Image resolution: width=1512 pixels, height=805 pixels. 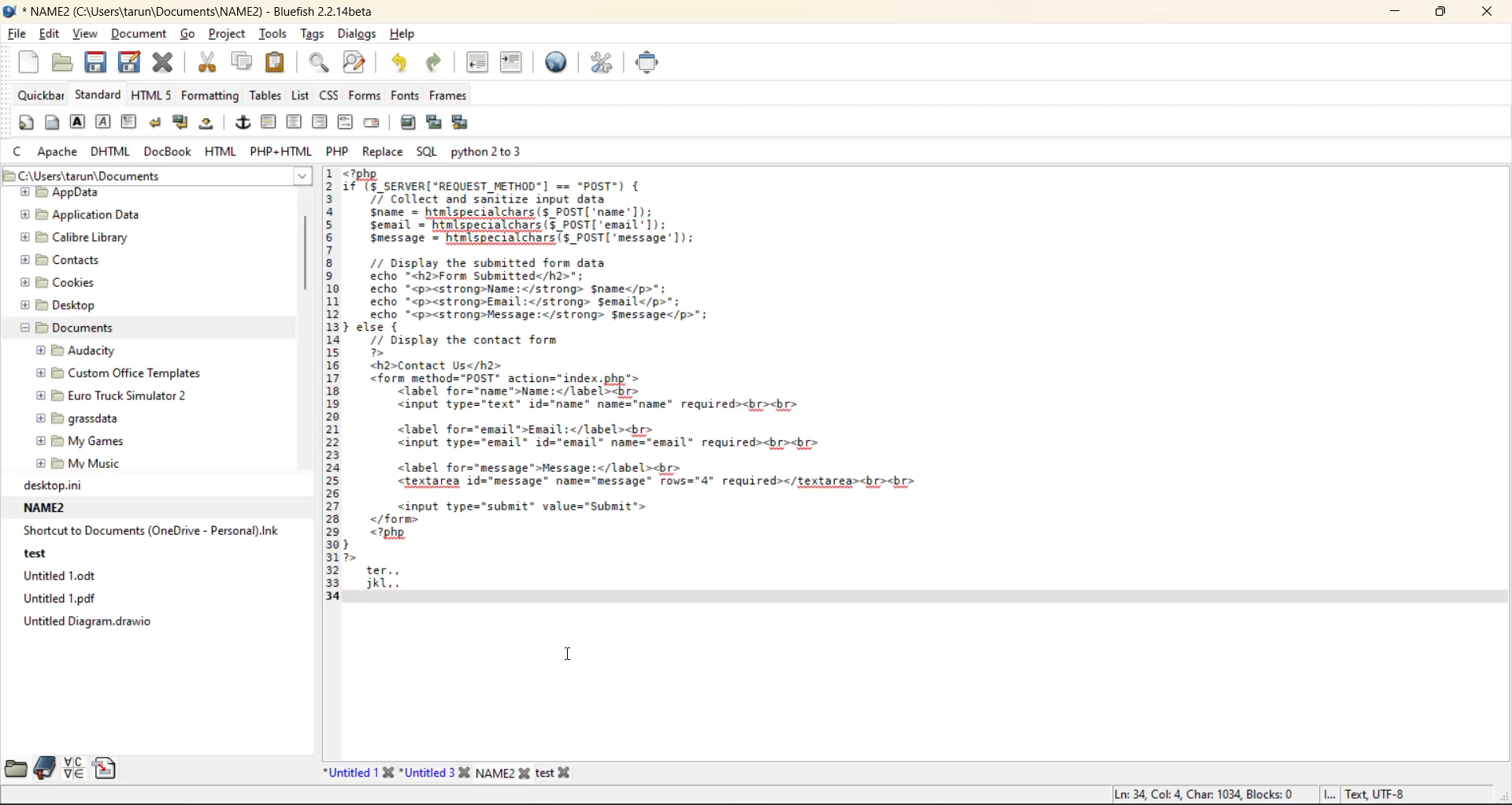 I want to click on test, so click(x=34, y=555).